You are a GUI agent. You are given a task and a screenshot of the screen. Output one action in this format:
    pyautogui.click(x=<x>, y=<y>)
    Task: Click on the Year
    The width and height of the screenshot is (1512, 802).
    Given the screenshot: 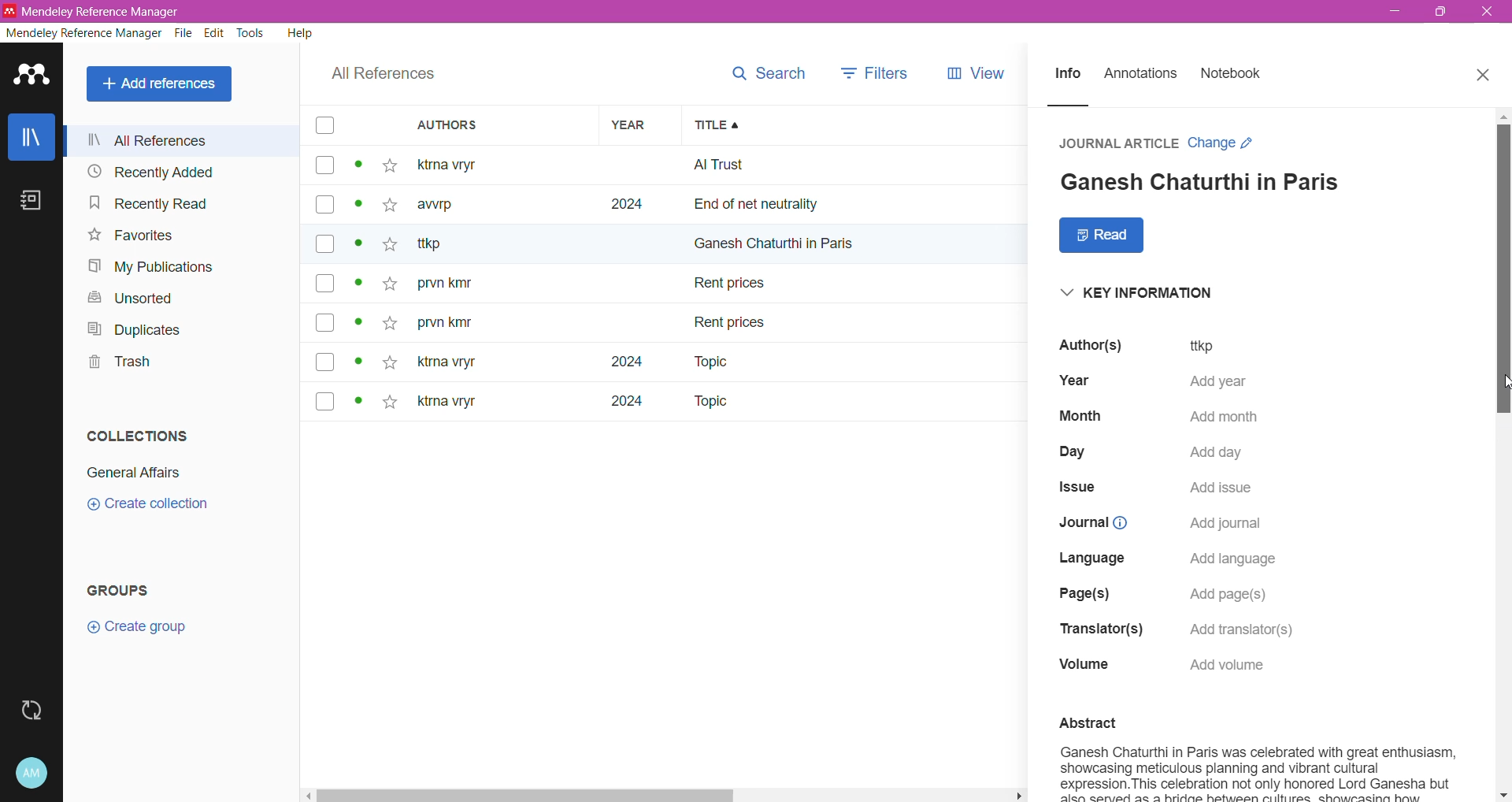 What is the action you would take?
    pyautogui.click(x=1073, y=380)
    